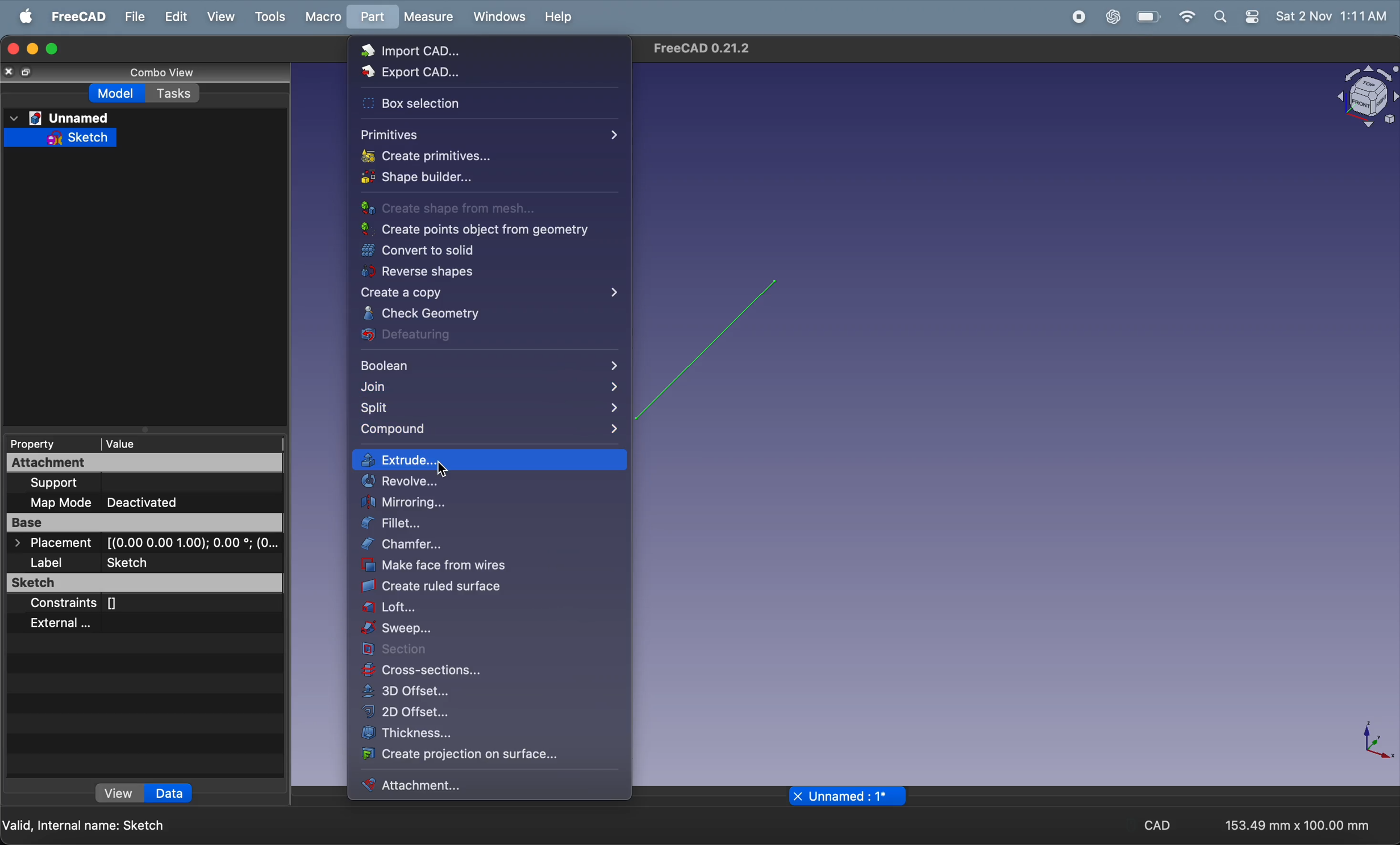  What do you see at coordinates (707, 50) in the screenshot?
I see `FreeCAD 0.21.2` at bounding box center [707, 50].